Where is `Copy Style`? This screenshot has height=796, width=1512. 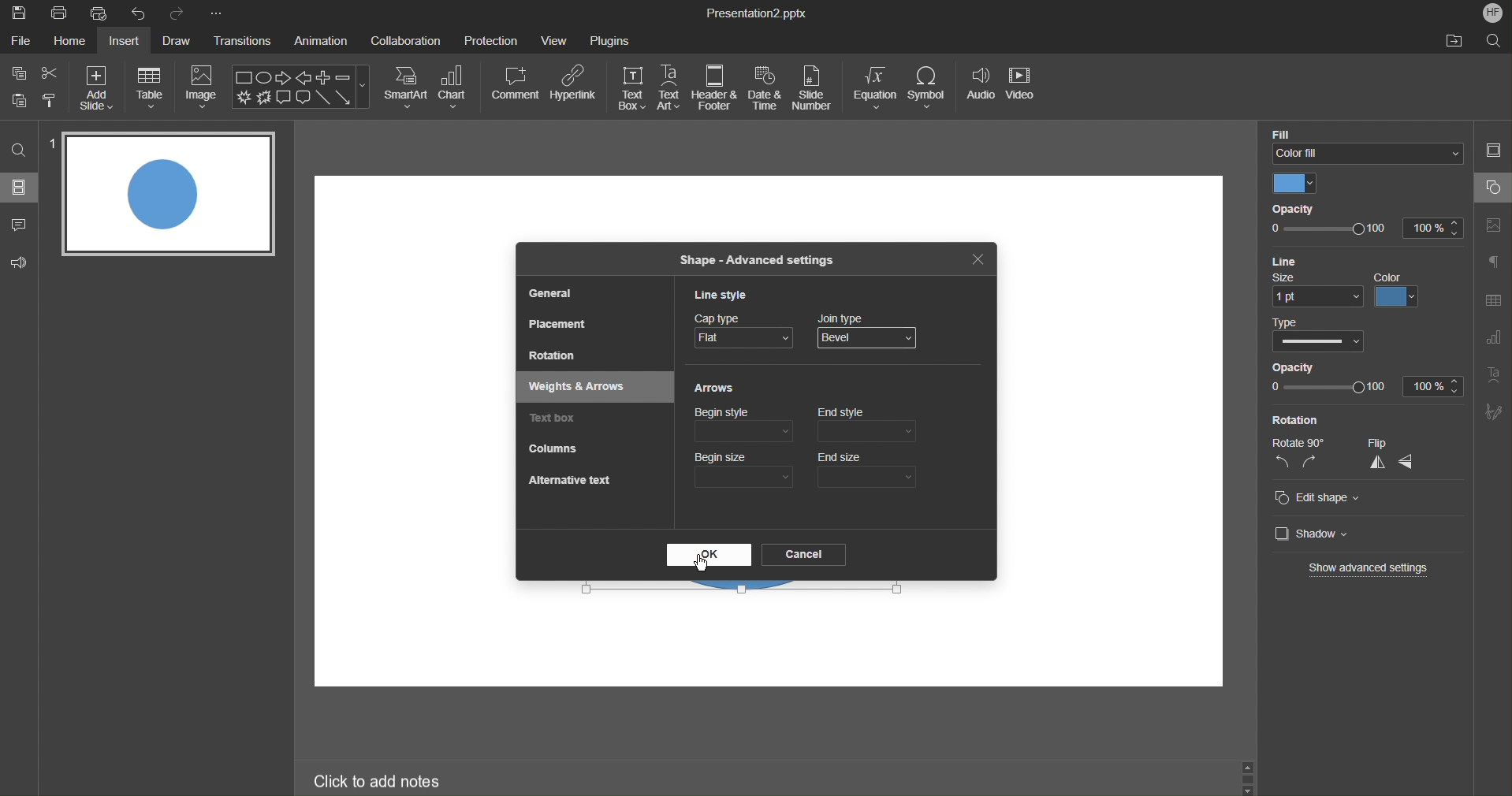
Copy Style is located at coordinates (50, 99).